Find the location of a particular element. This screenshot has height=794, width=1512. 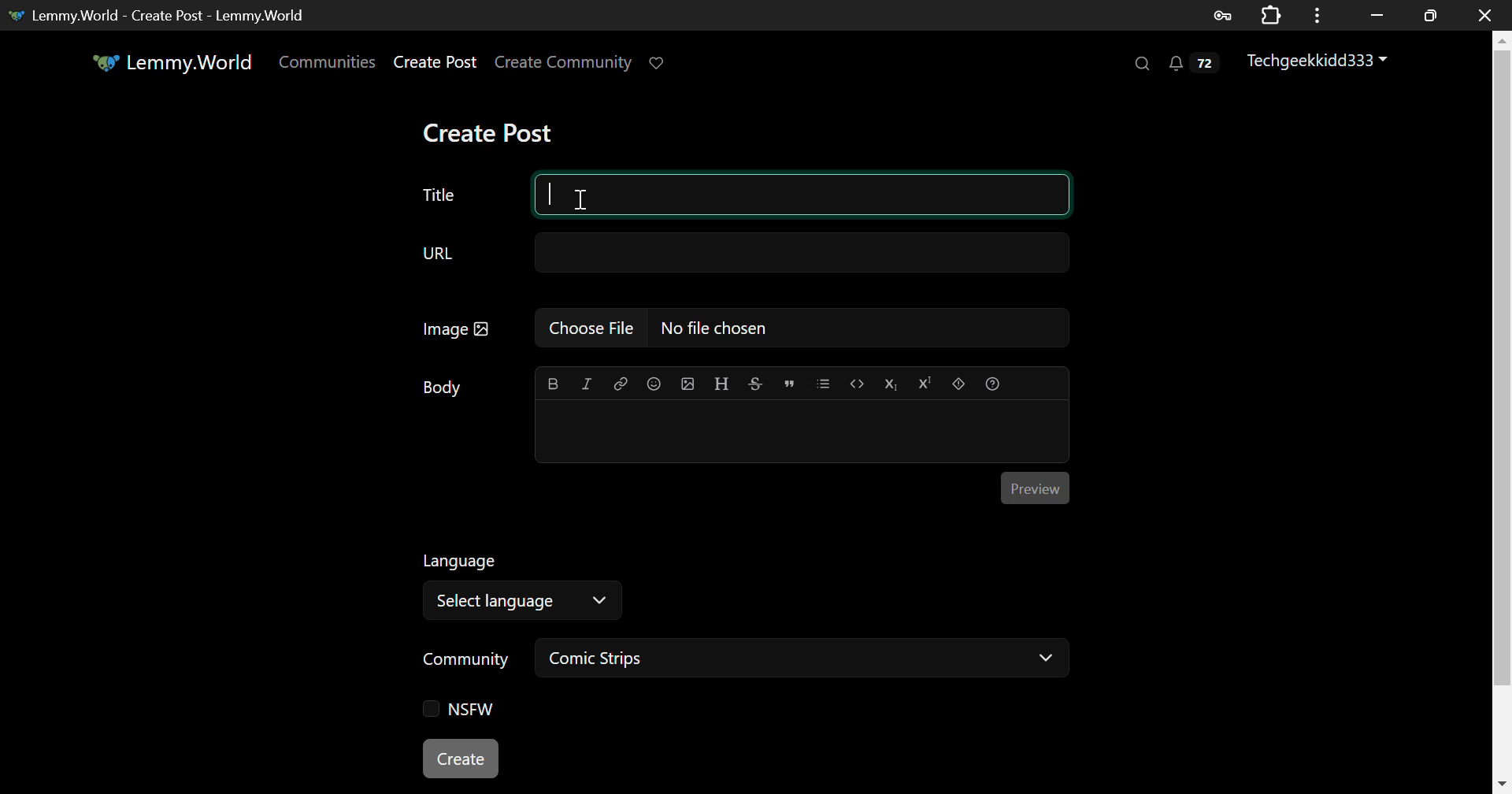

Create Community Link is located at coordinates (566, 65).